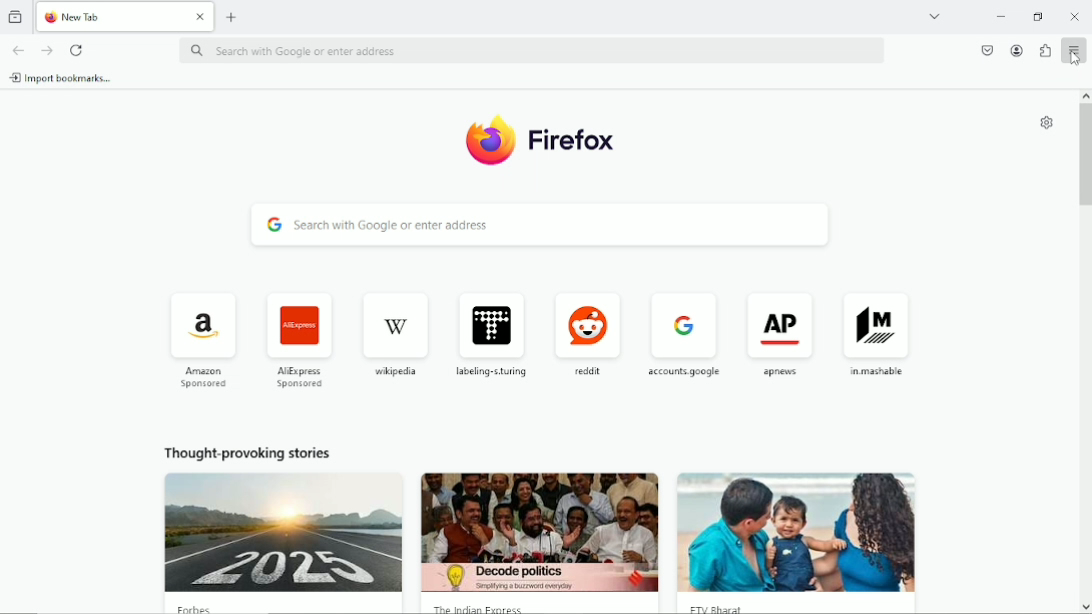 Image resolution: width=1092 pixels, height=614 pixels. What do you see at coordinates (232, 16) in the screenshot?
I see `new tab` at bounding box center [232, 16].